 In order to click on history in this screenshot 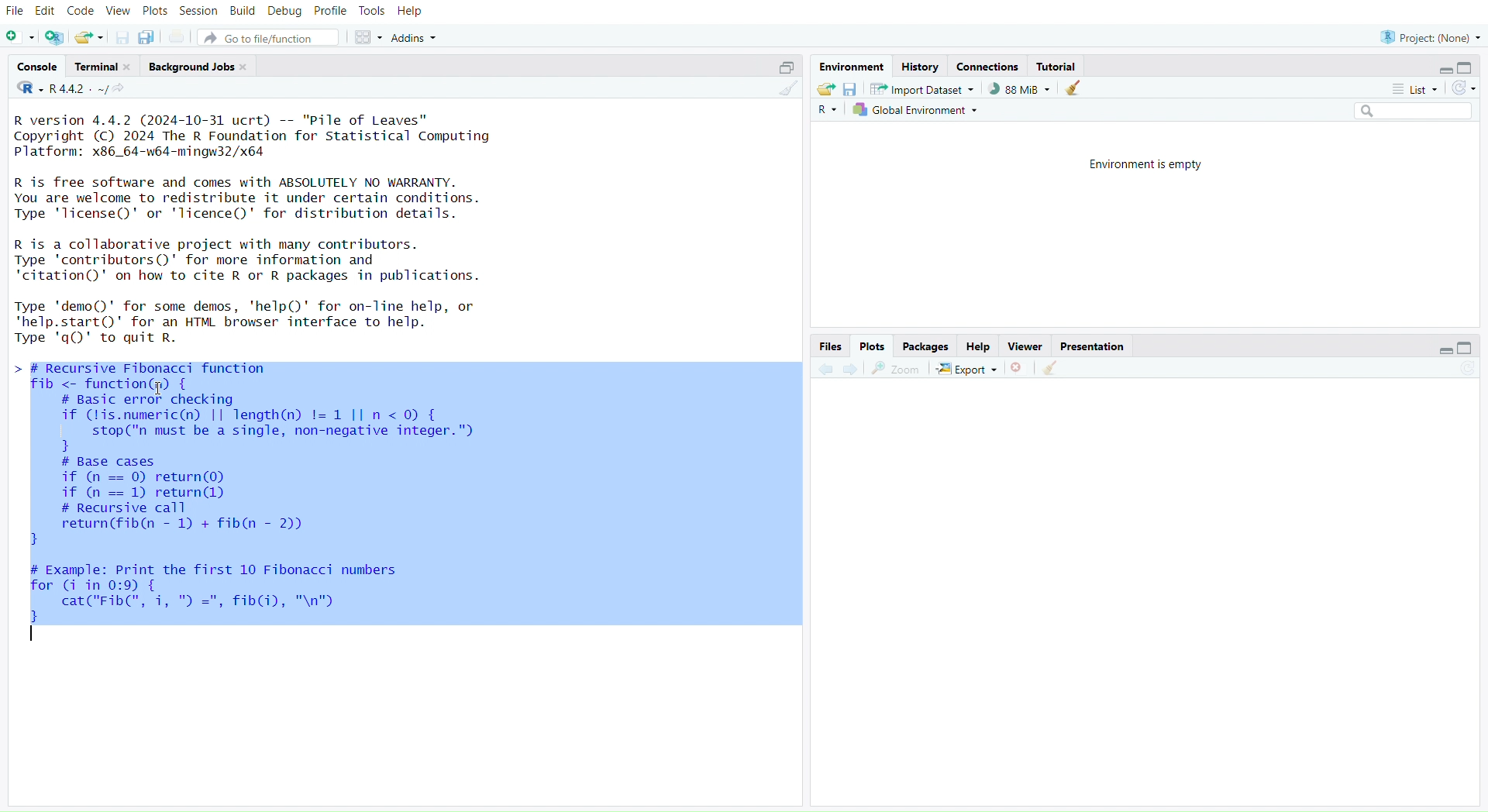, I will do `click(919, 68)`.